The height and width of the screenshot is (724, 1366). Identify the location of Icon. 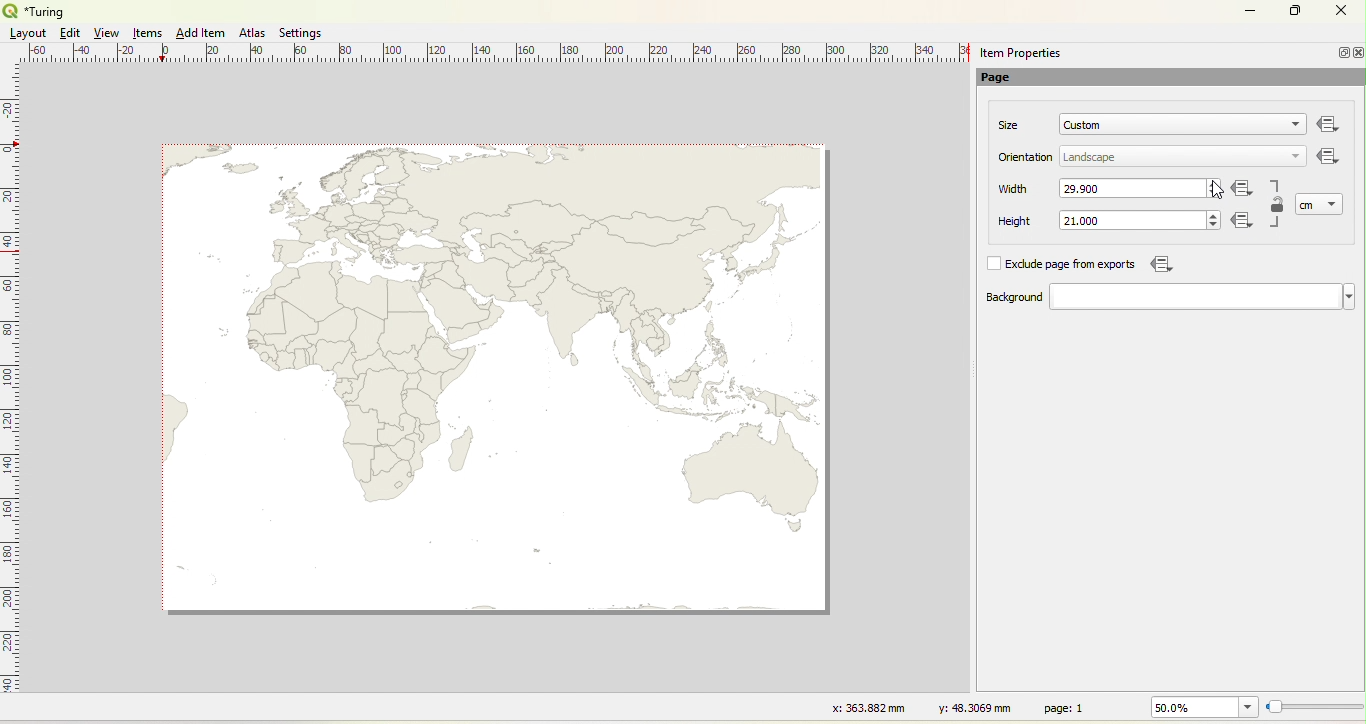
(1326, 155).